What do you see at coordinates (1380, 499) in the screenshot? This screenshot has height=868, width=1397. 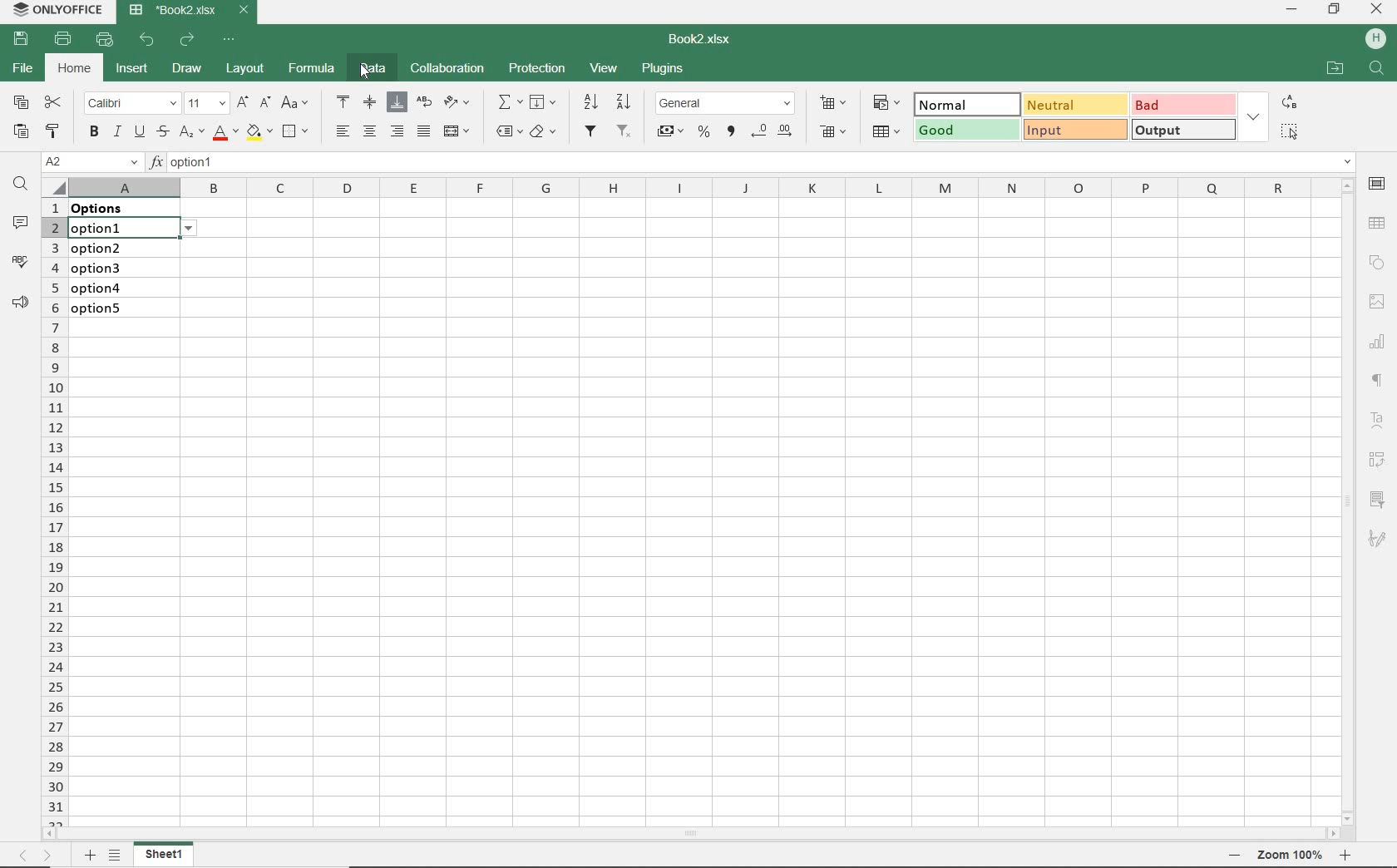 I see `SLICER` at bounding box center [1380, 499].